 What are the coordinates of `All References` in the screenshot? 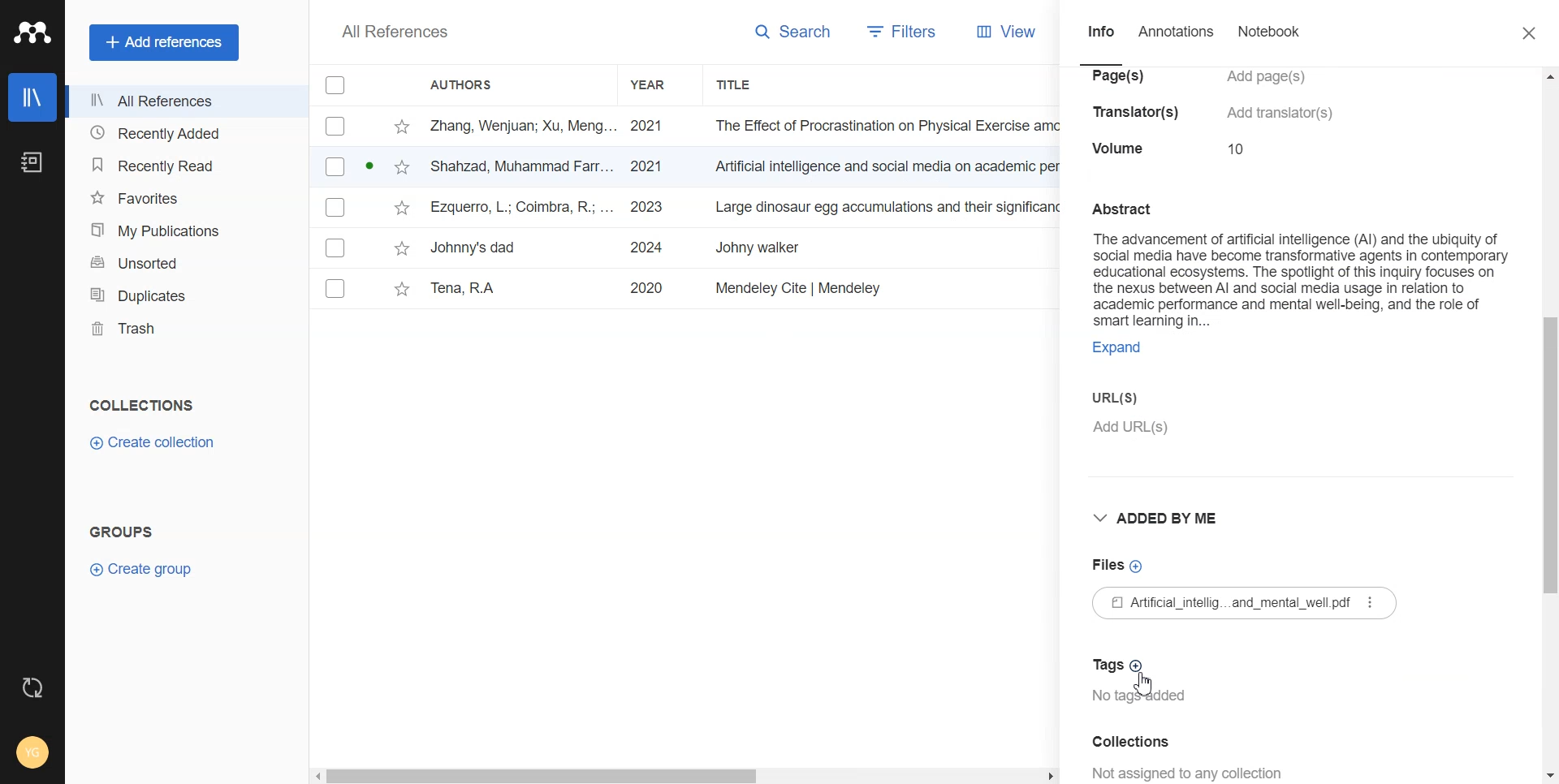 It's located at (184, 102).